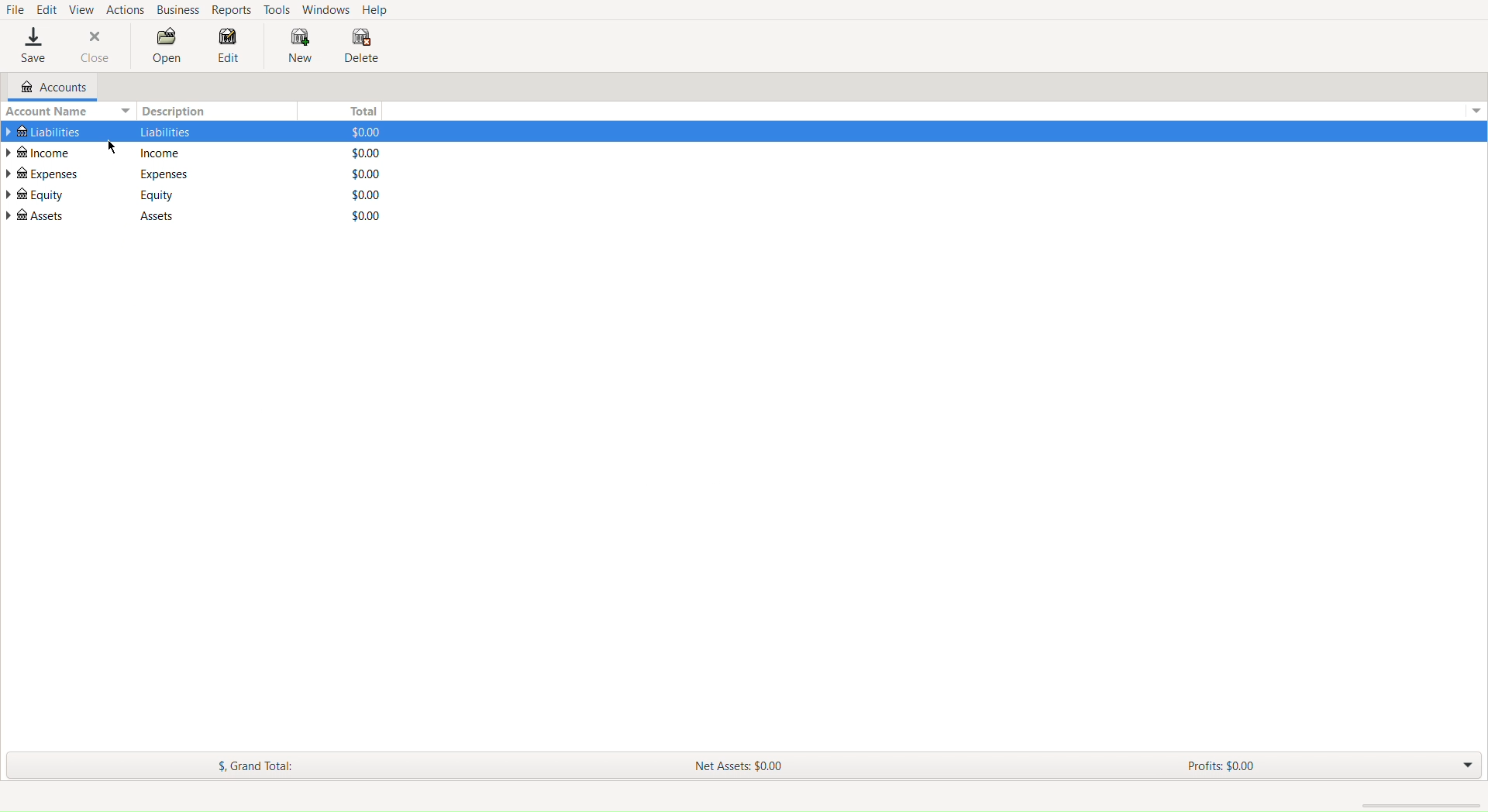 The height and width of the screenshot is (812, 1488). What do you see at coordinates (60, 132) in the screenshot?
I see `Liabilities` at bounding box center [60, 132].